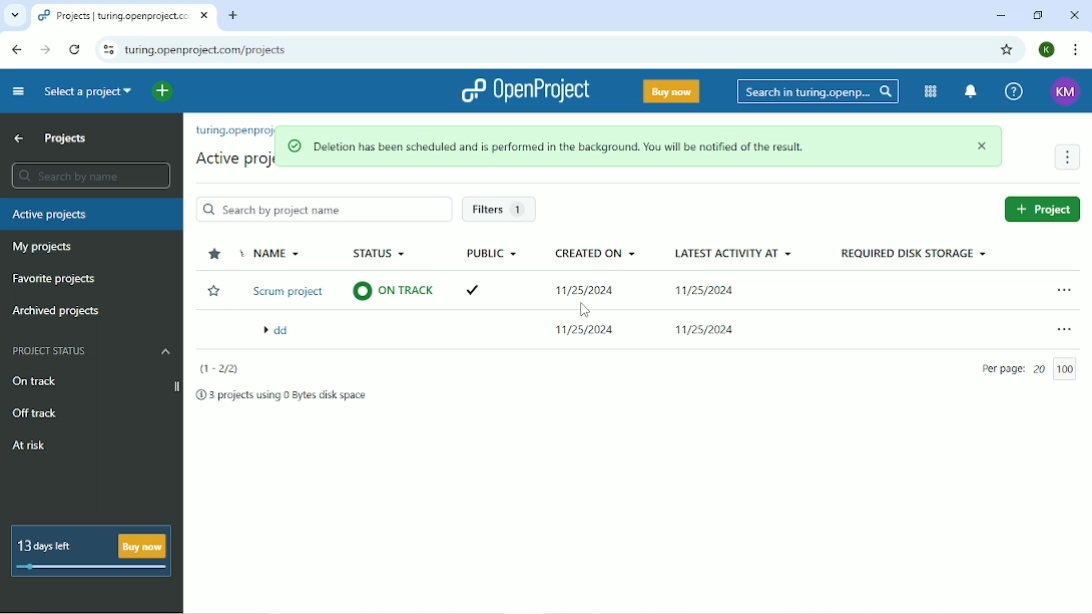 This screenshot has width=1092, height=614. I want to click on Open menu, so click(1068, 289).